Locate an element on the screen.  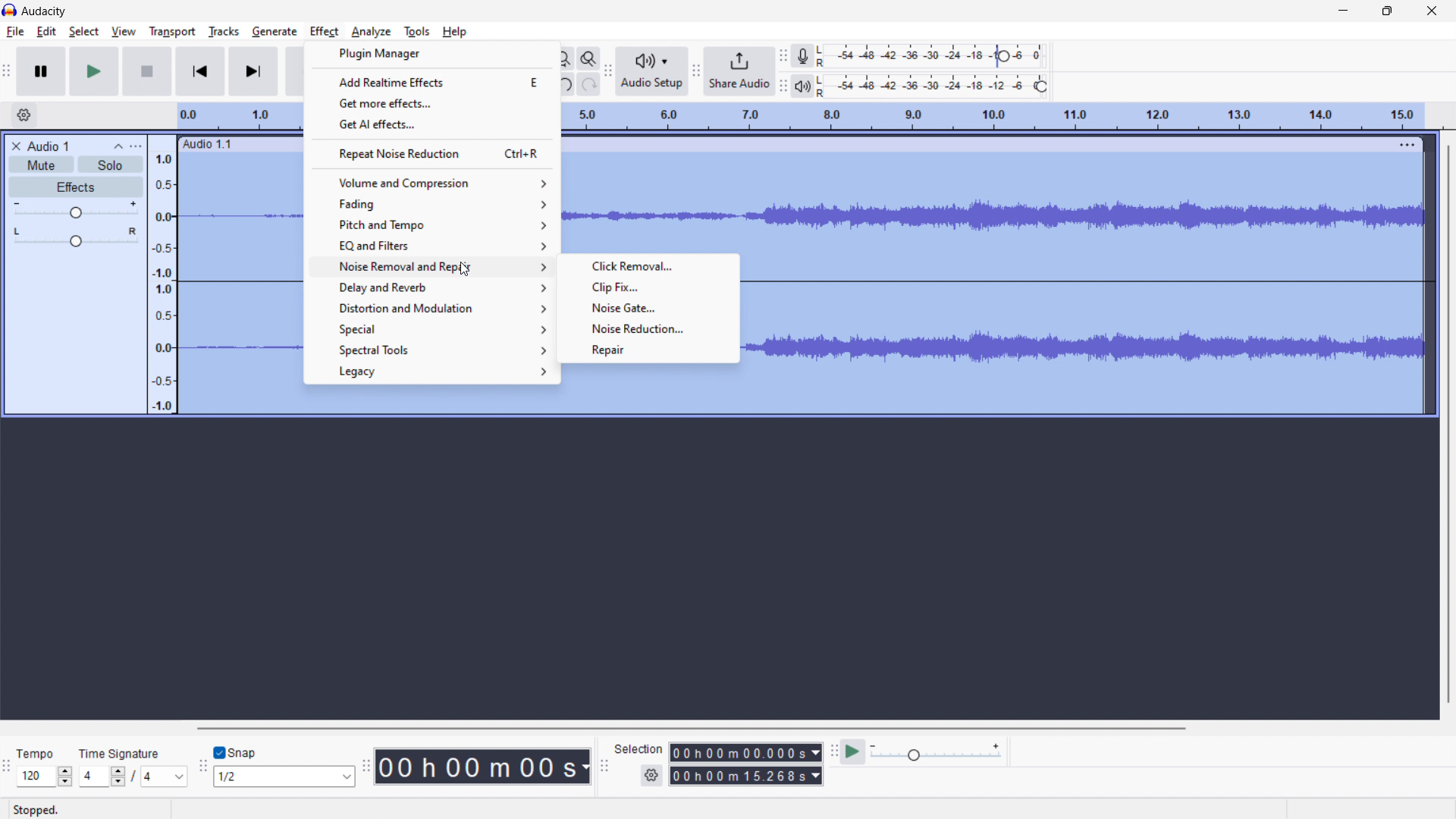
distortion and modulation is located at coordinates (428, 307).